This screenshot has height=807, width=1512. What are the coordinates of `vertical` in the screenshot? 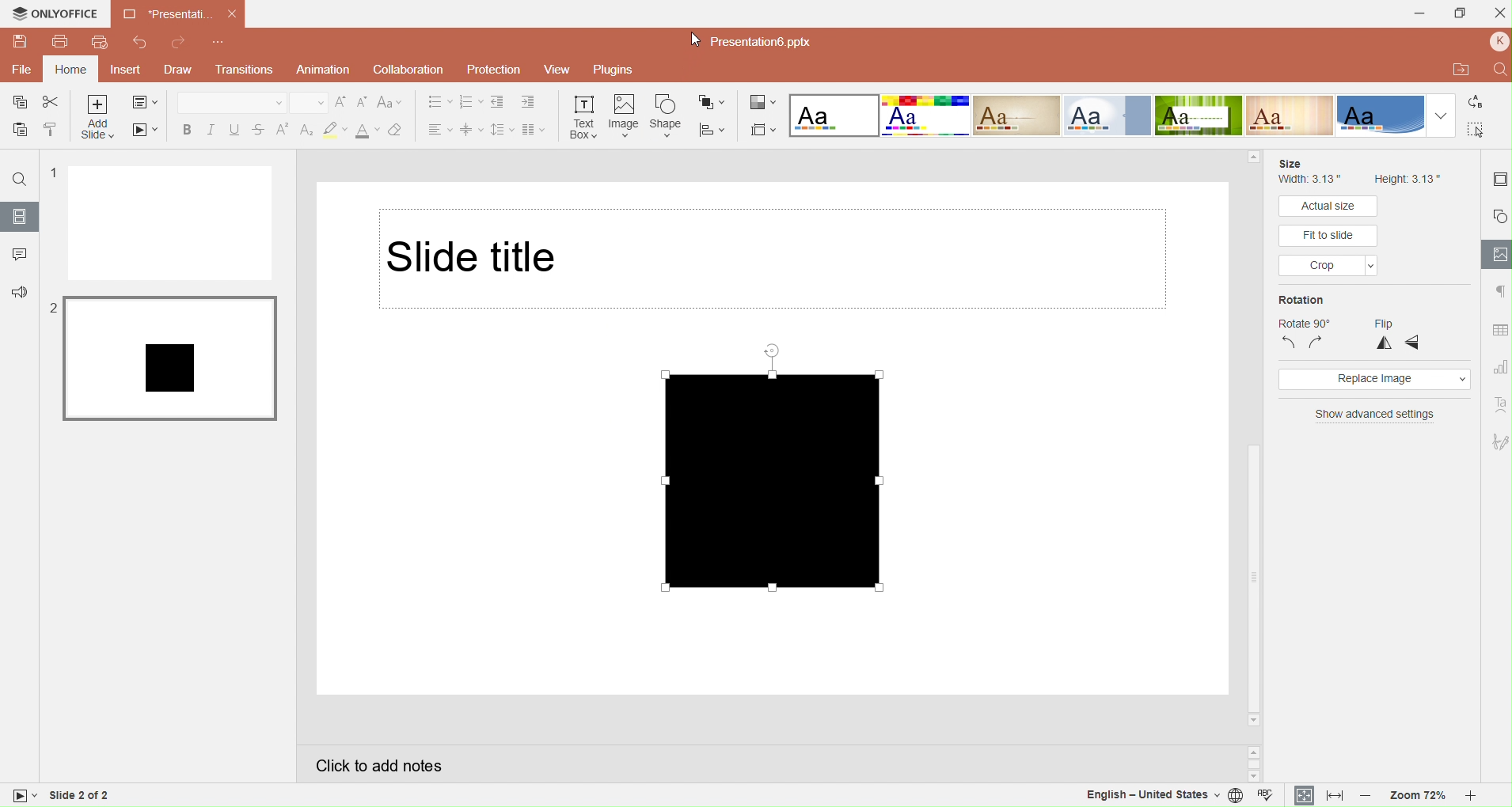 It's located at (1385, 343).